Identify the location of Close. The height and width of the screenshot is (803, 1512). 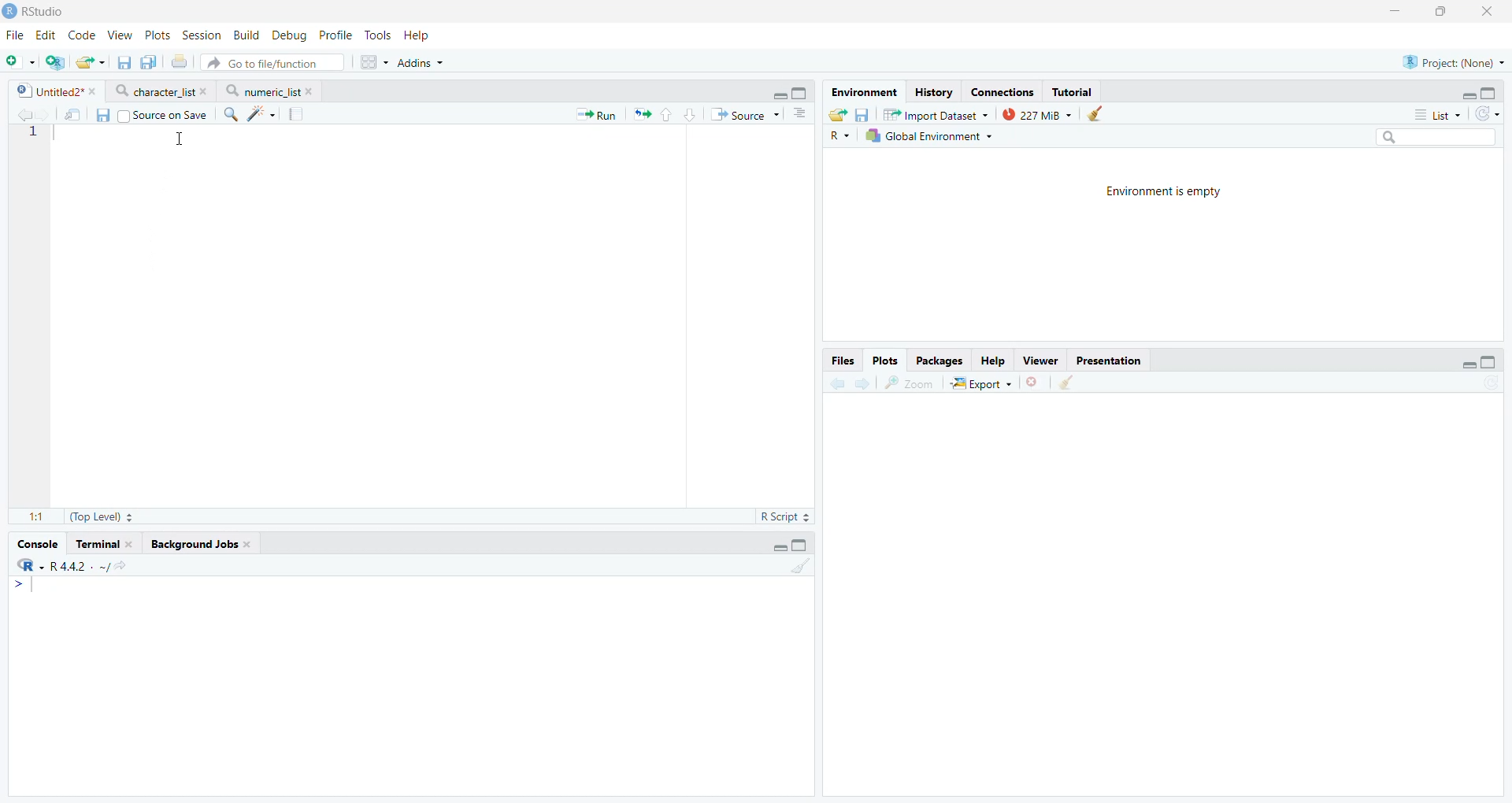
(1491, 12).